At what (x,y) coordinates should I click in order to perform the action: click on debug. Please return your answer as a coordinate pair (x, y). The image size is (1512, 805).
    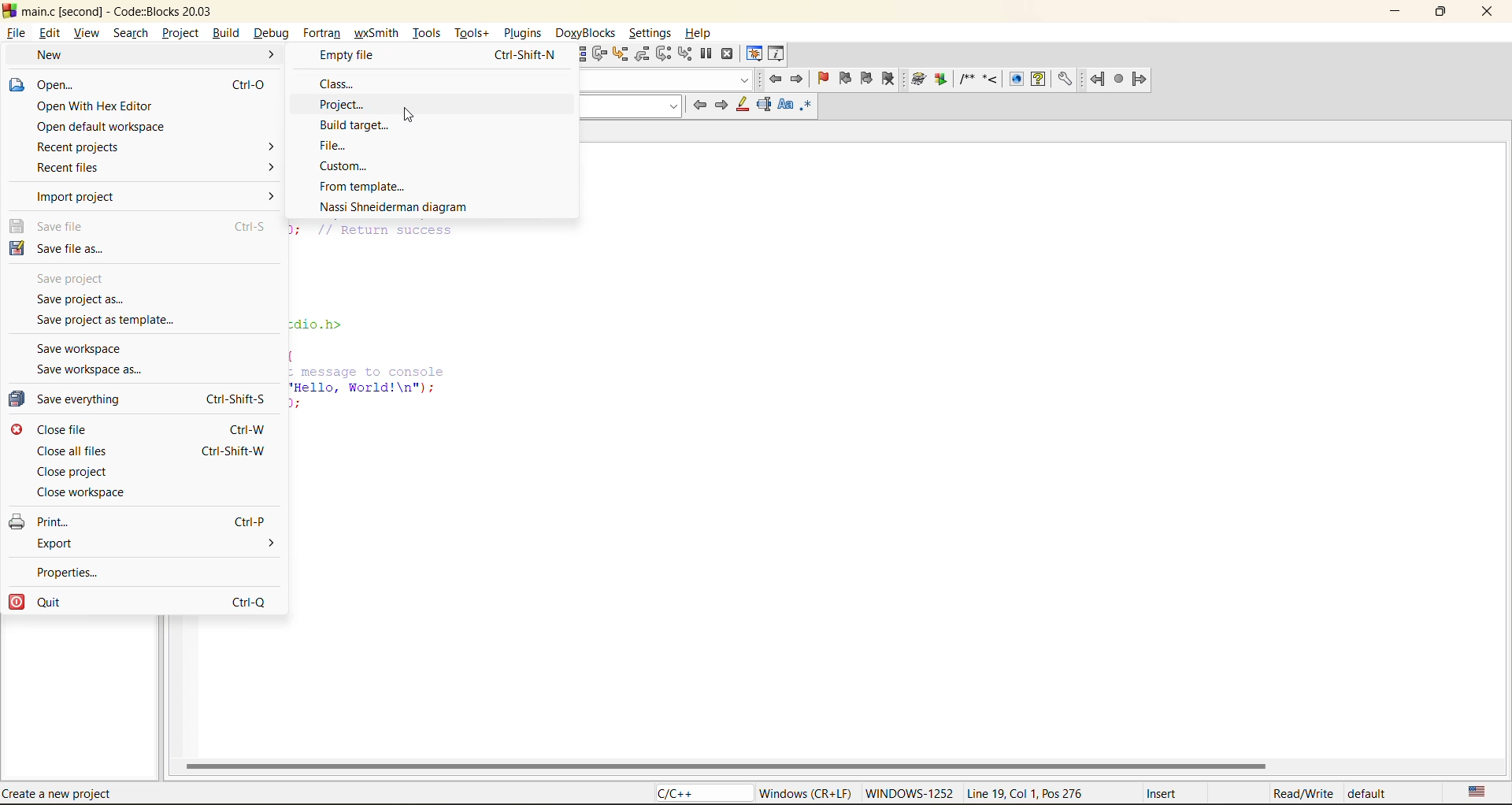
    Looking at the image, I should click on (272, 33).